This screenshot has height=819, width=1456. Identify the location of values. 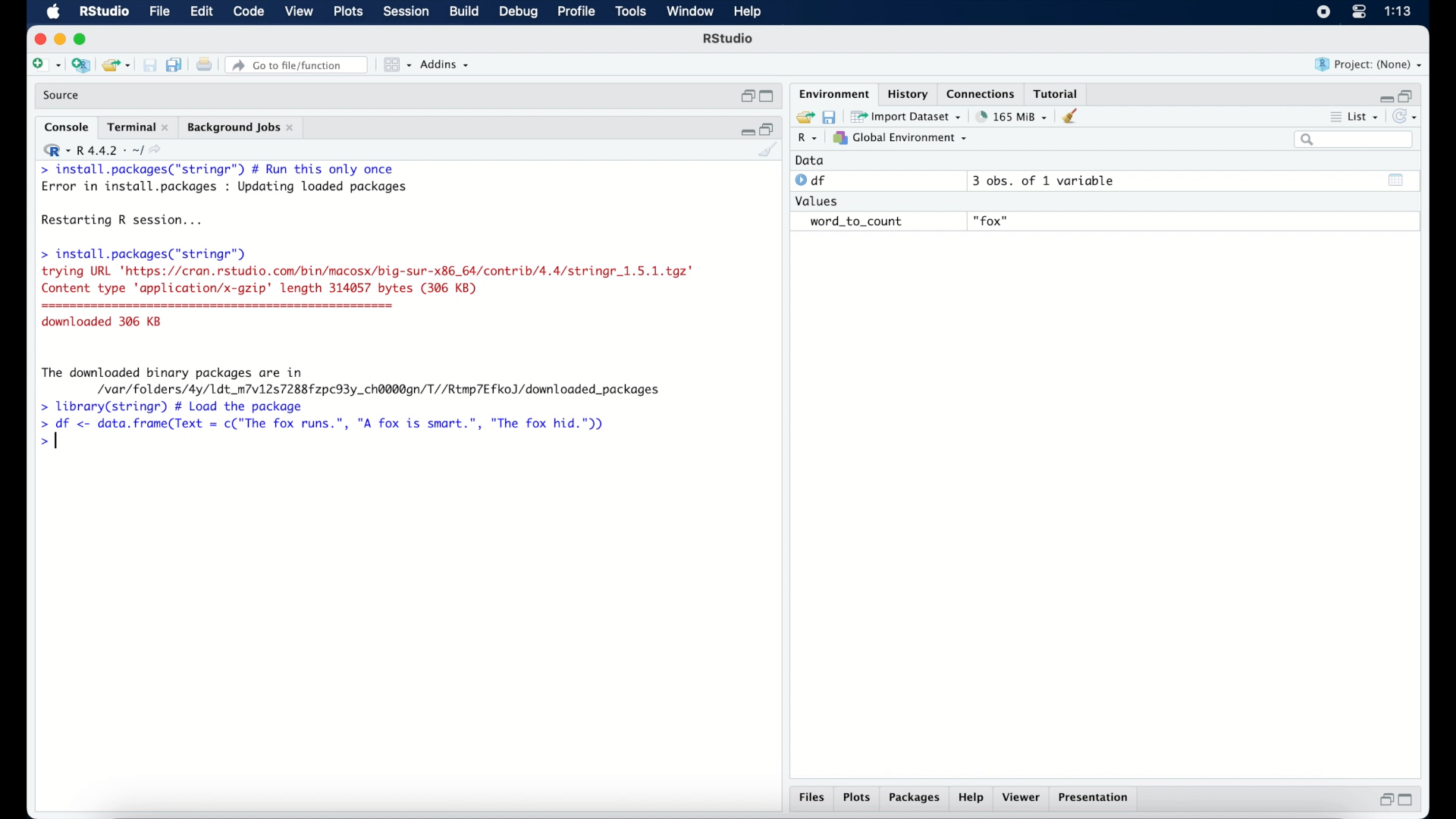
(818, 199).